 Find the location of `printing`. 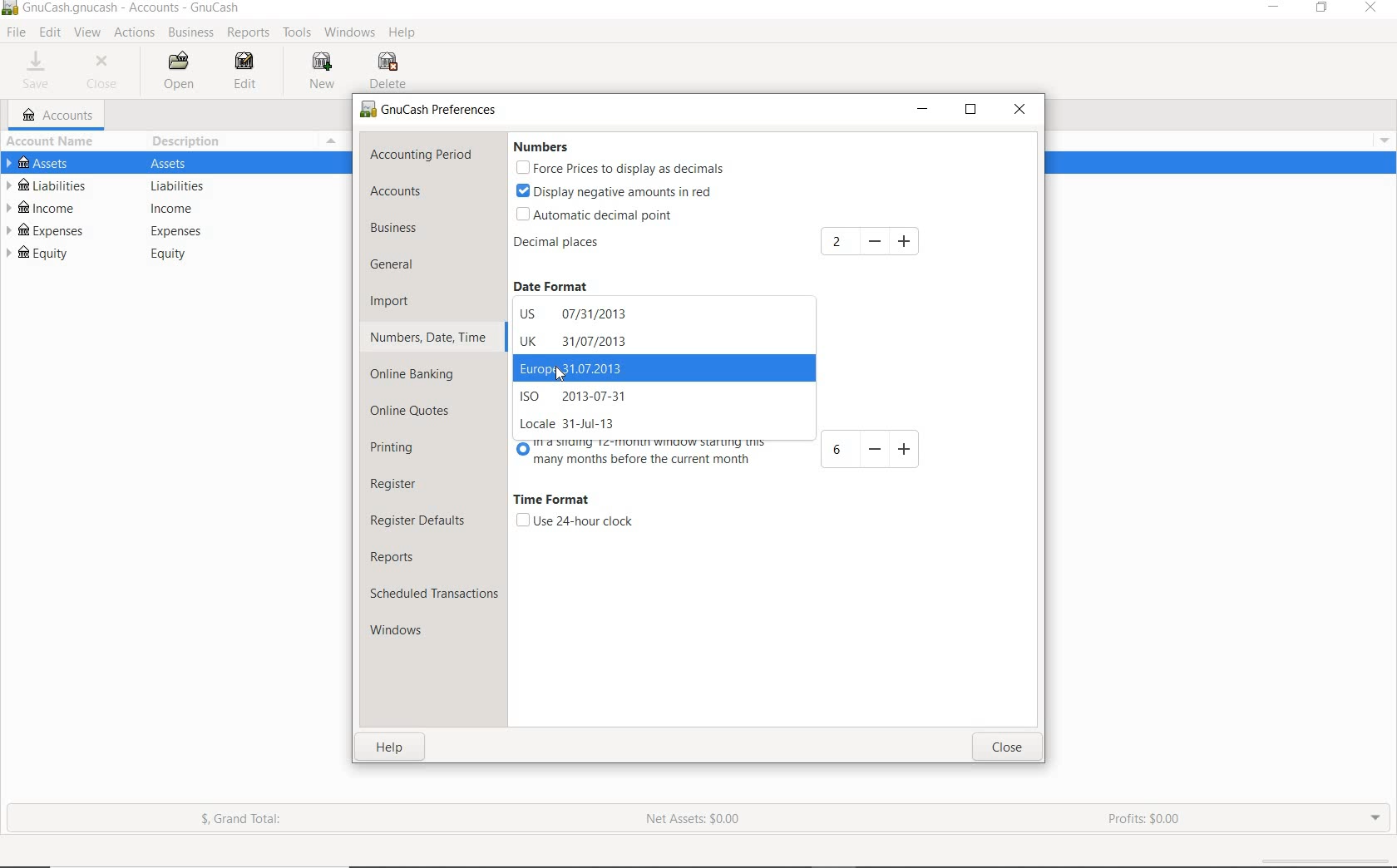

printing is located at coordinates (404, 450).